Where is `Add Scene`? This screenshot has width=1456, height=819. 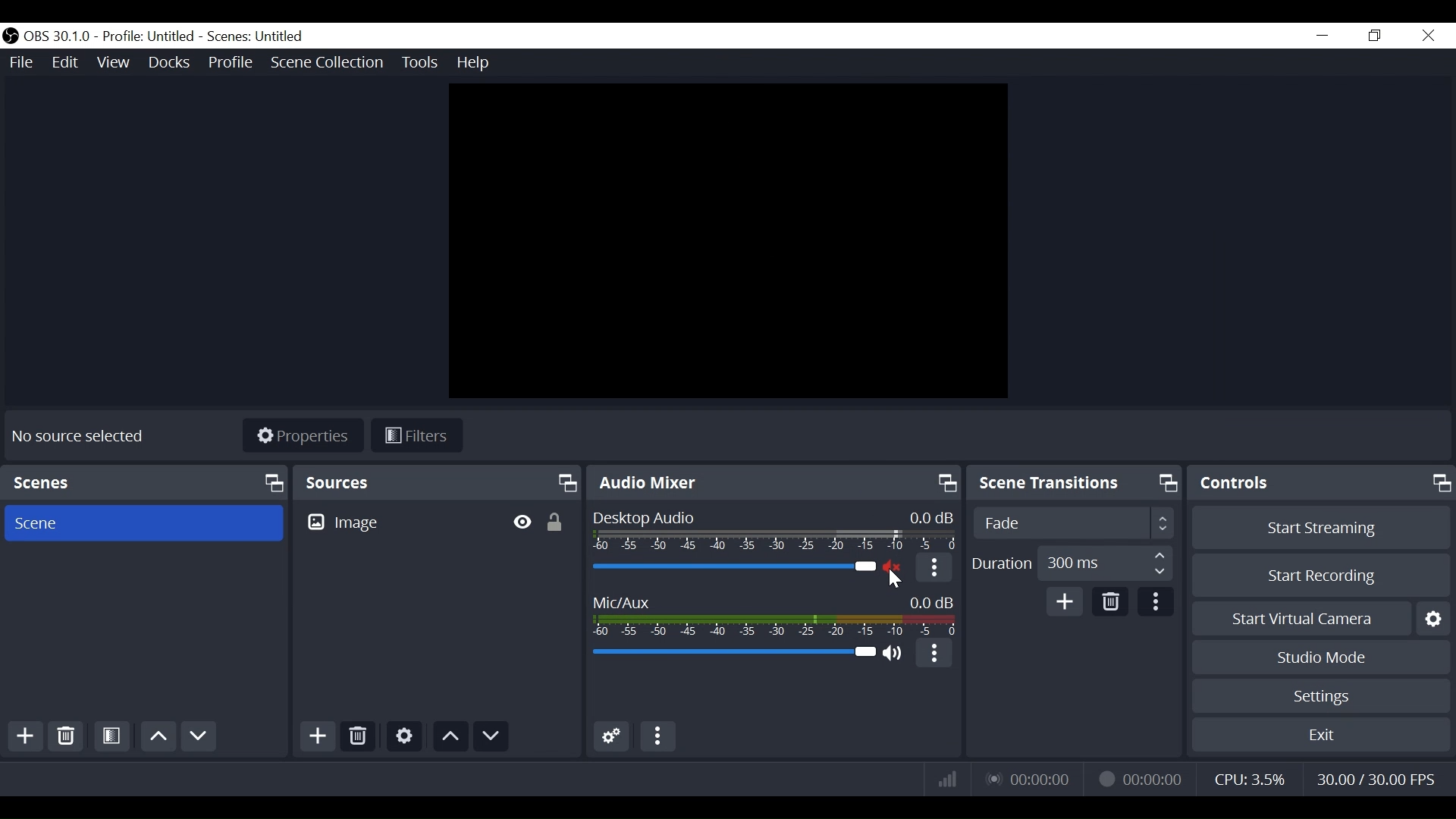 Add Scene is located at coordinates (24, 739).